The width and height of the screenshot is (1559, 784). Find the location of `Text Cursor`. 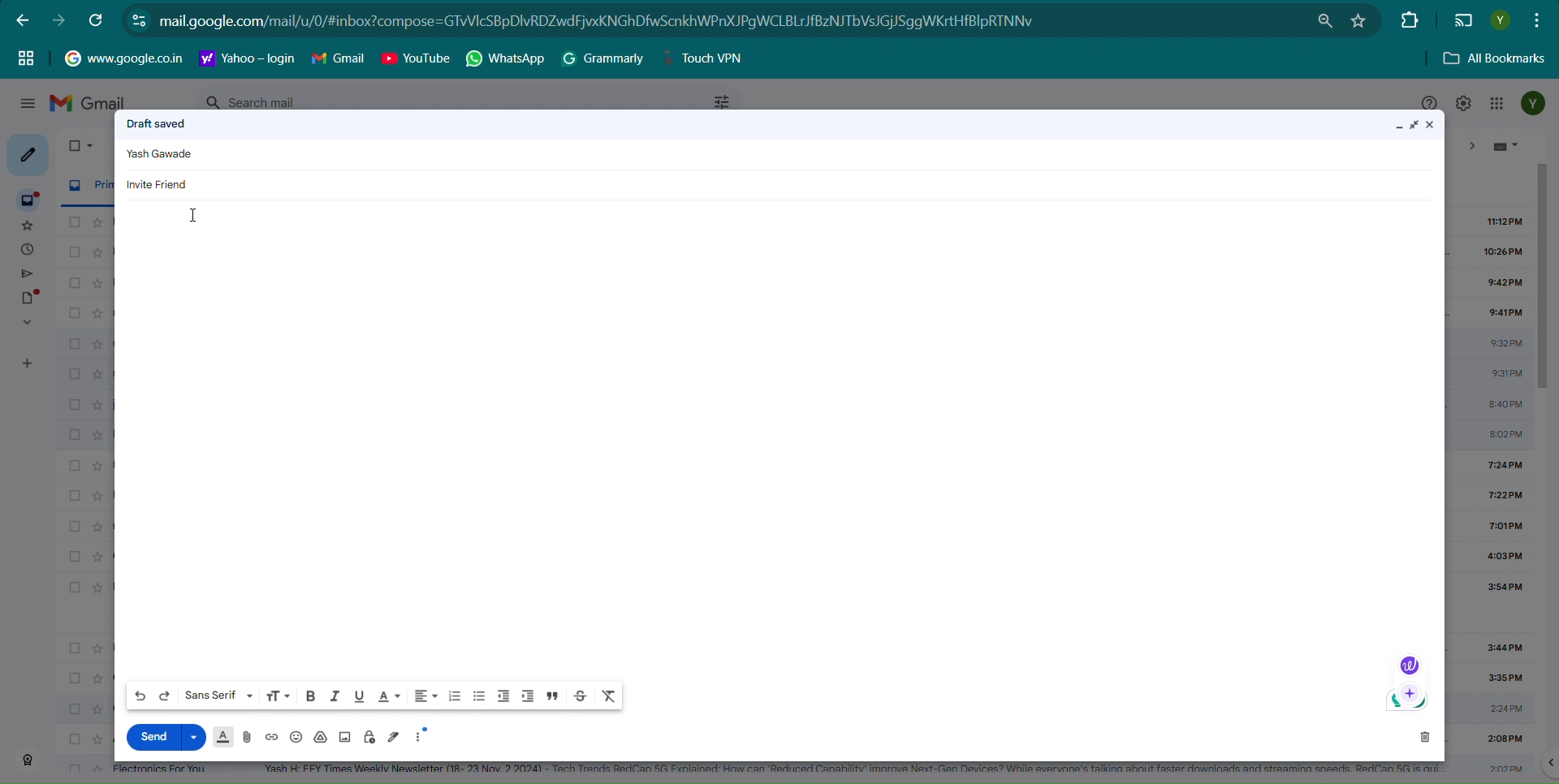

Text Cursor is located at coordinates (197, 216).